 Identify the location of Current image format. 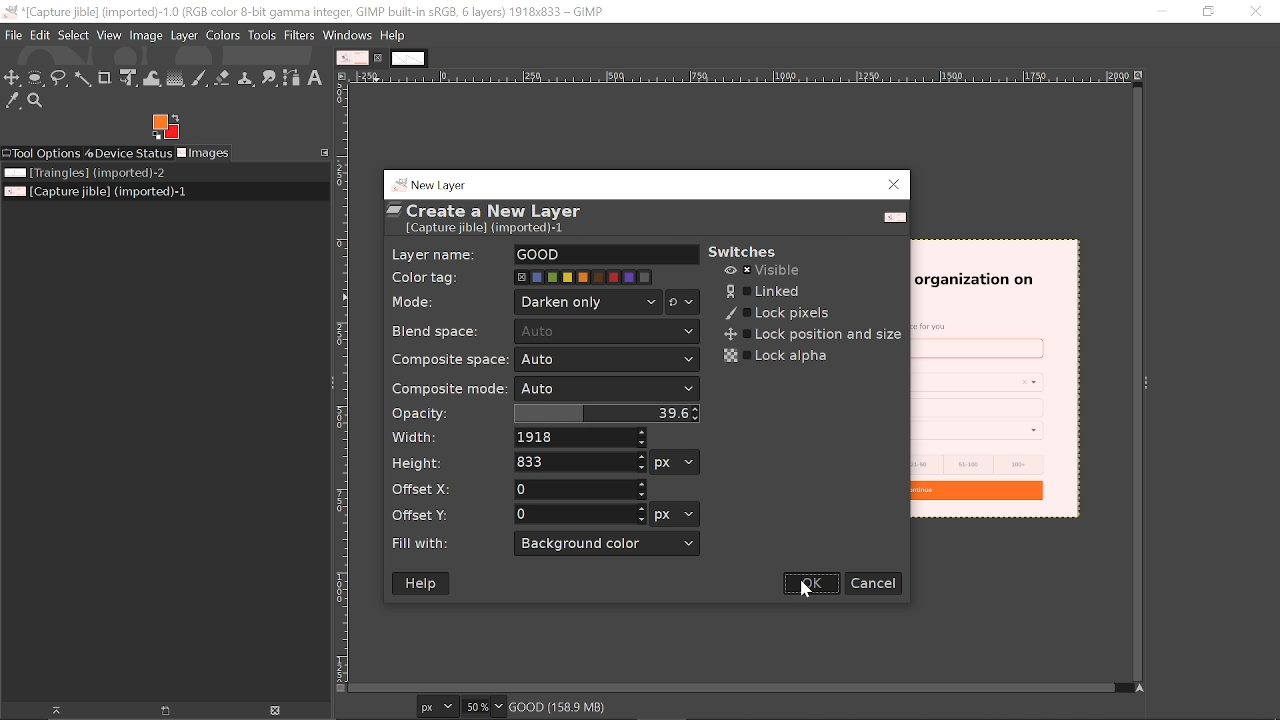
(440, 708).